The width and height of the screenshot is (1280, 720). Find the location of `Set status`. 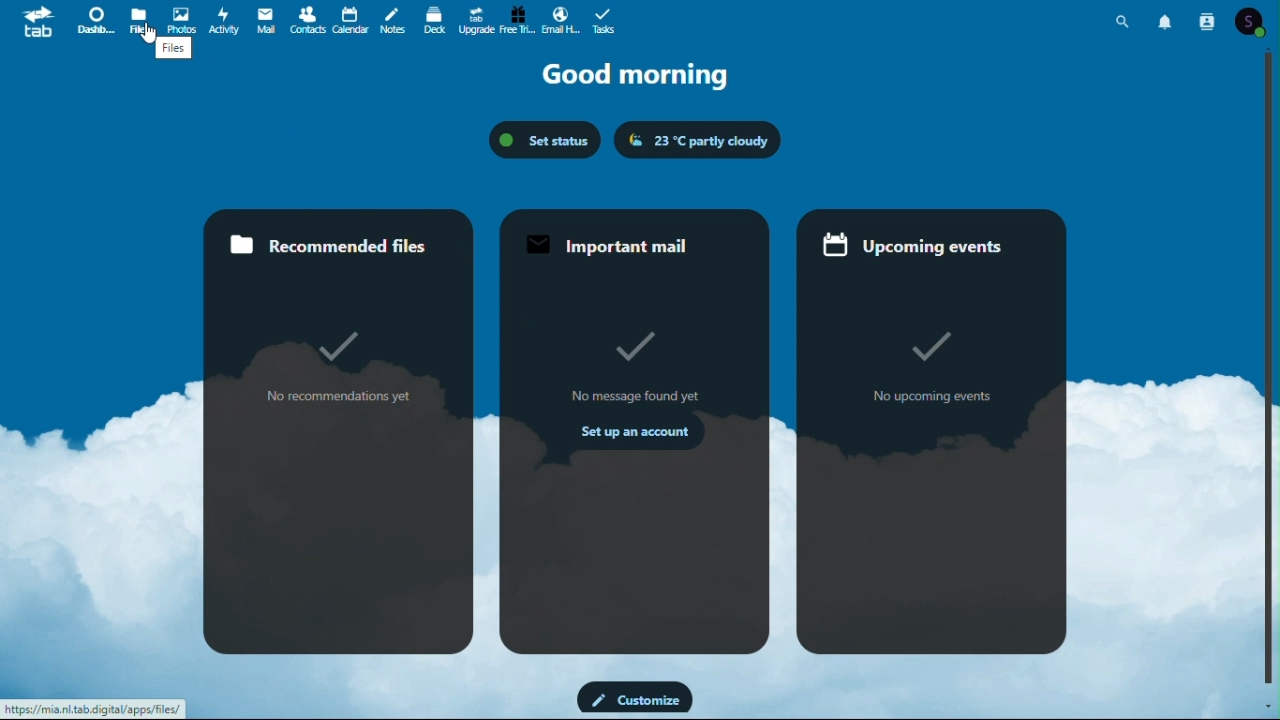

Set status is located at coordinates (544, 140).